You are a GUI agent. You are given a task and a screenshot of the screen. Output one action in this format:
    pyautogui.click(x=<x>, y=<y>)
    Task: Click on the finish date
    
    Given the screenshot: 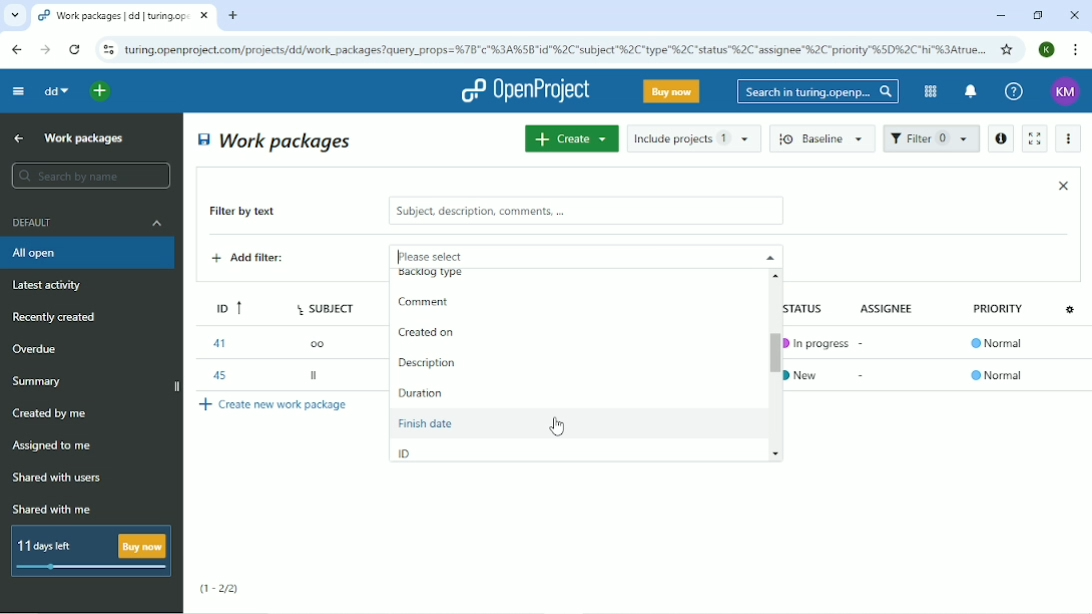 What is the action you would take?
    pyautogui.click(x=557, y=421)
    